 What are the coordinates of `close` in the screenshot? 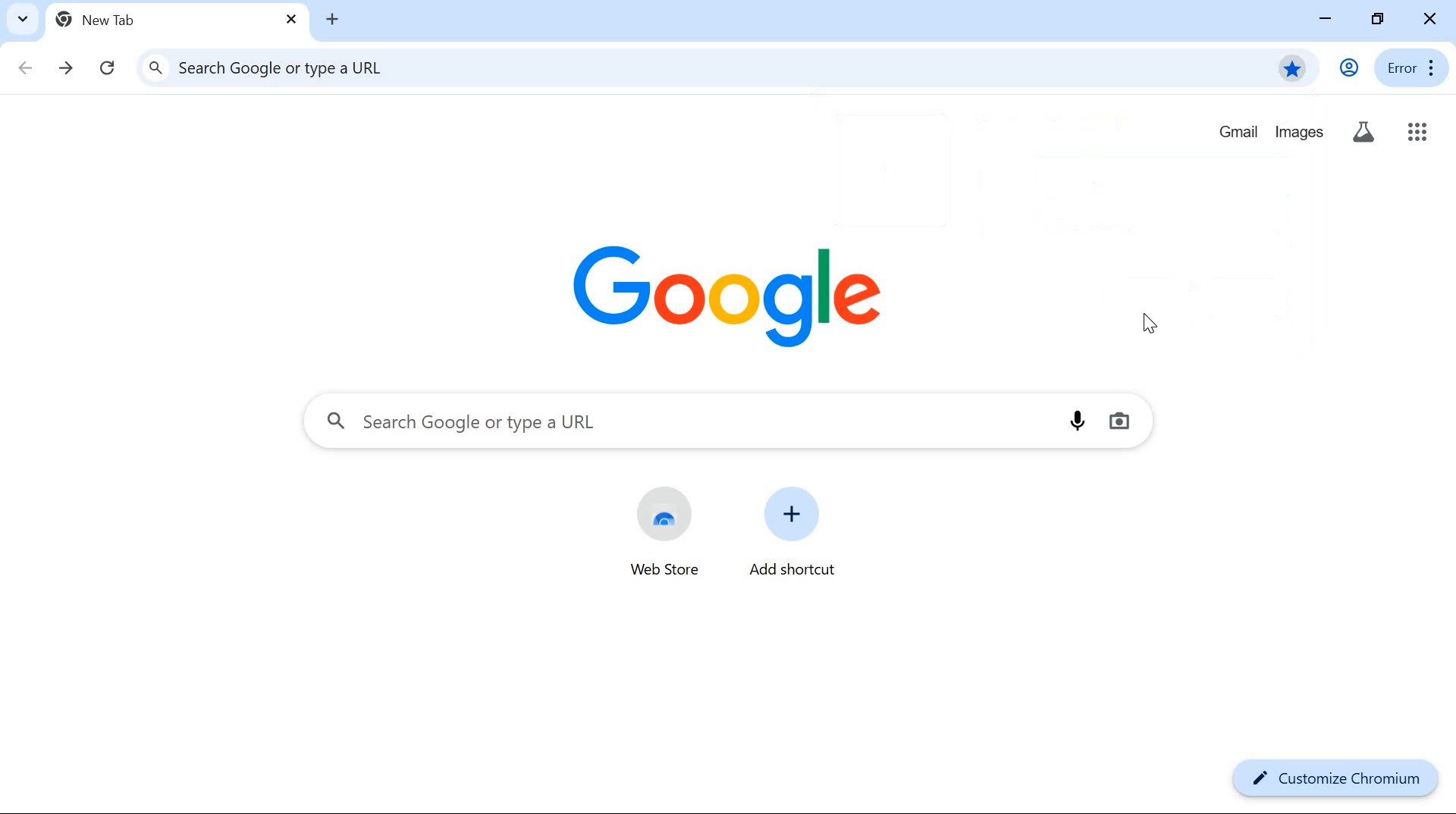 It's located at (291, 21).